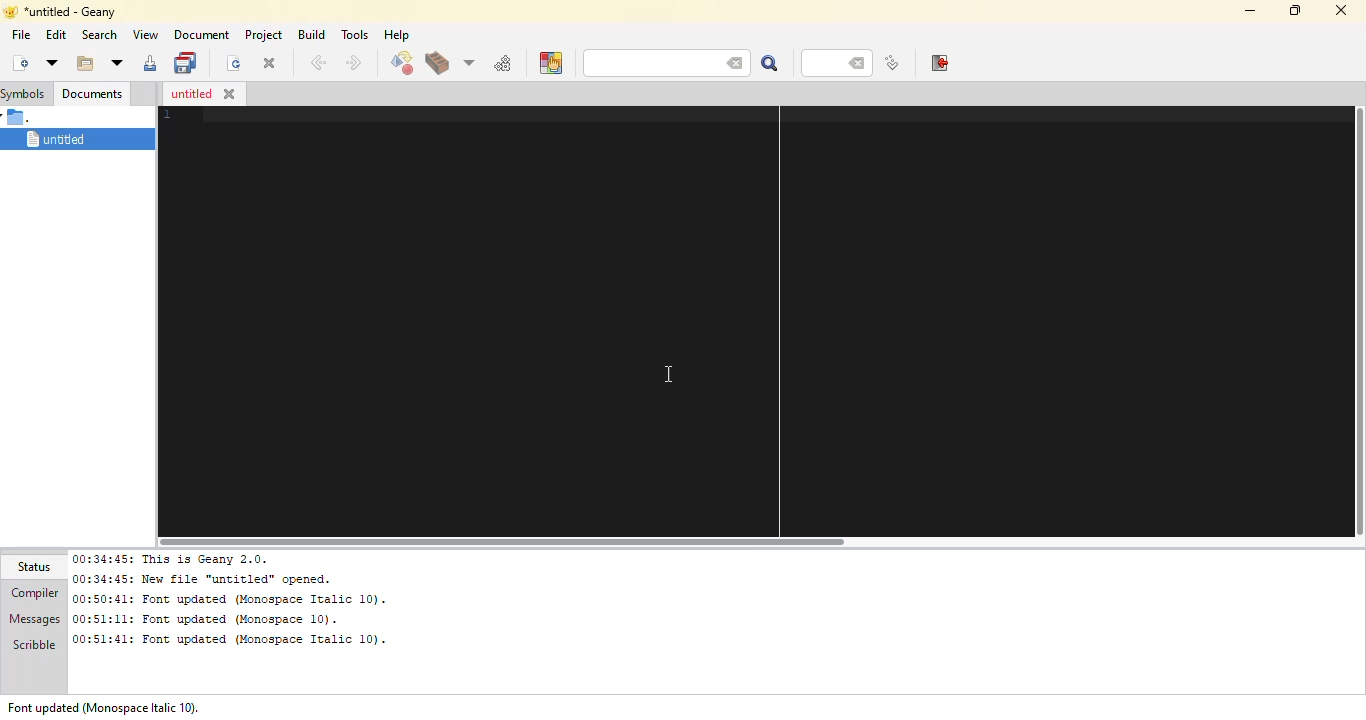 The width and height of the screenshot is (1366, 720). What do you see at coordinates (9, 11) in the screenshot?
I see `logo` at bounding box center [9, 11].